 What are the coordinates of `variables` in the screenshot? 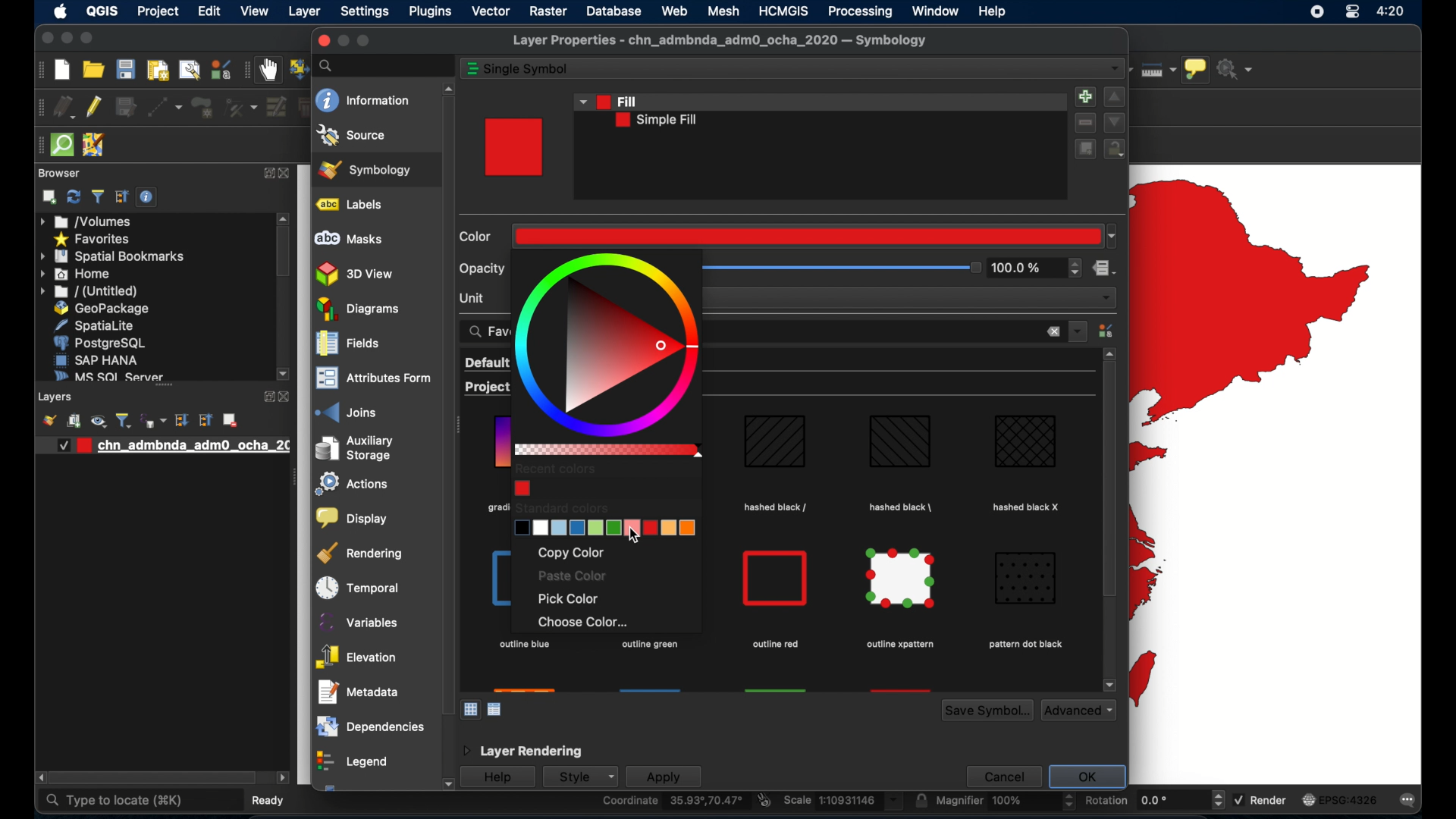 It's located at (360, 622).